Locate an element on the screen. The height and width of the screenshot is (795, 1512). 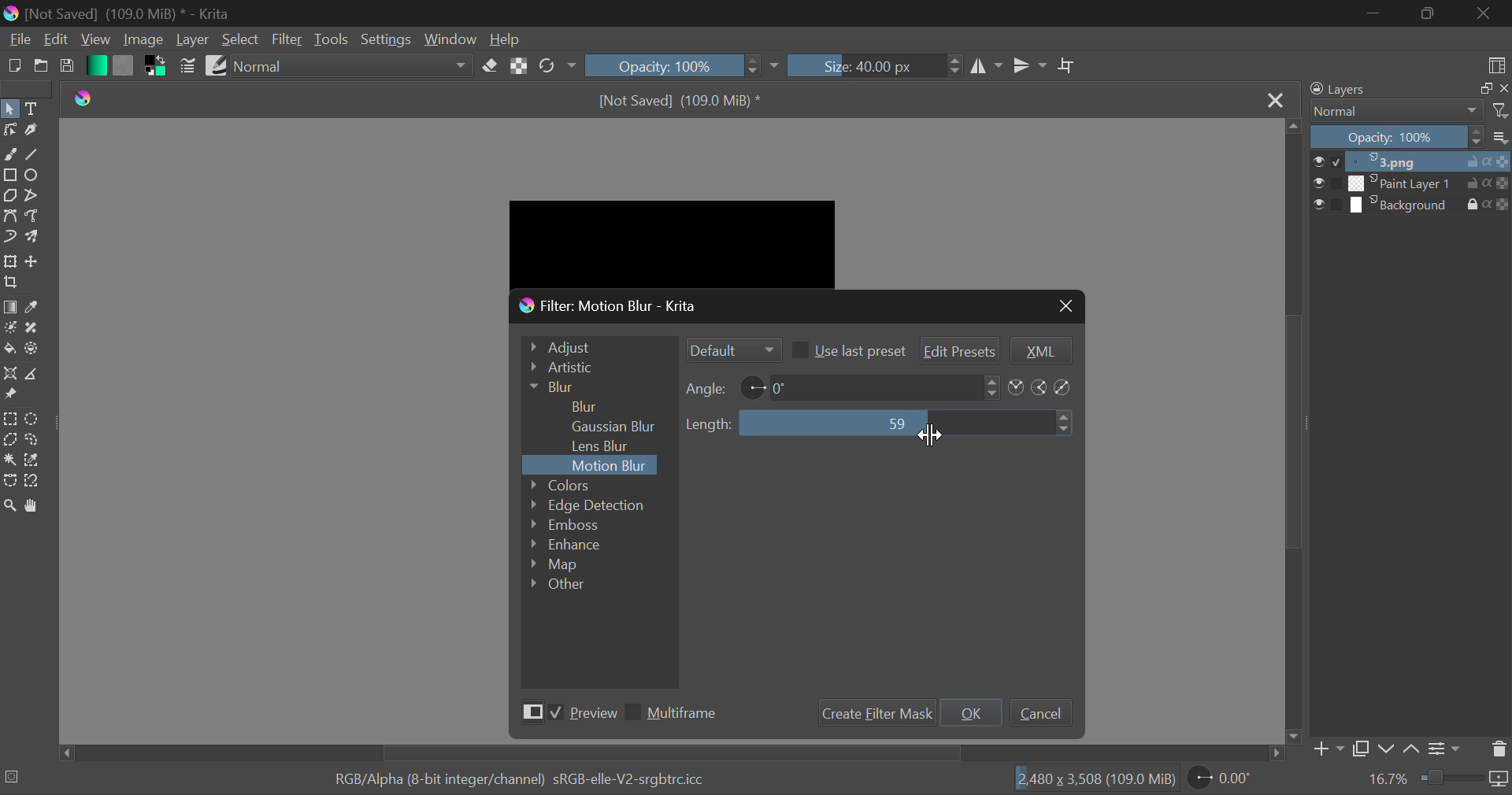
Preview is located at coordinates (565, 715).